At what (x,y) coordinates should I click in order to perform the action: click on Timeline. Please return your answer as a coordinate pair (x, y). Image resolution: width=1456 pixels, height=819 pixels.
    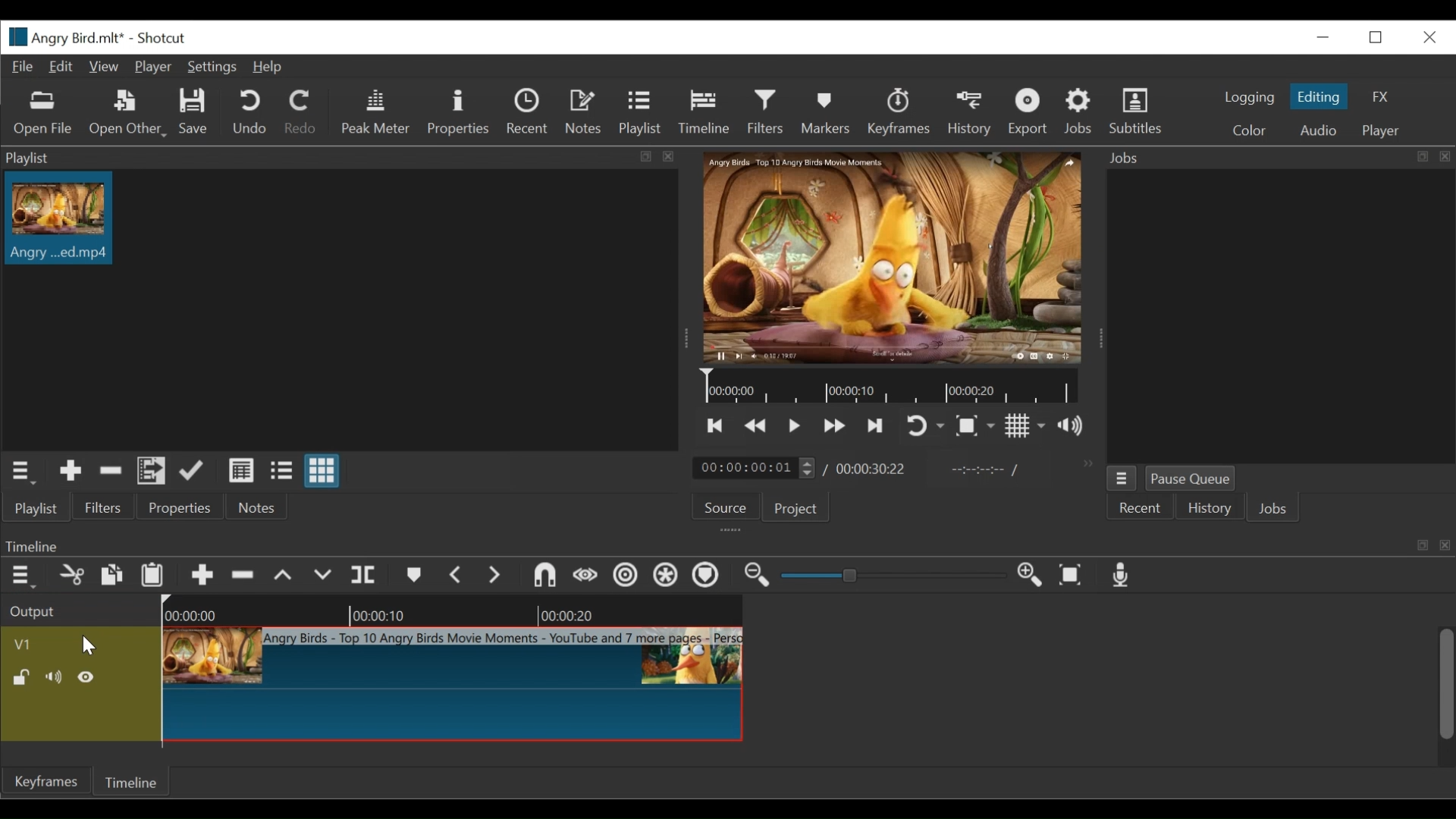
    Looking at the image, I should click on (706, 111).